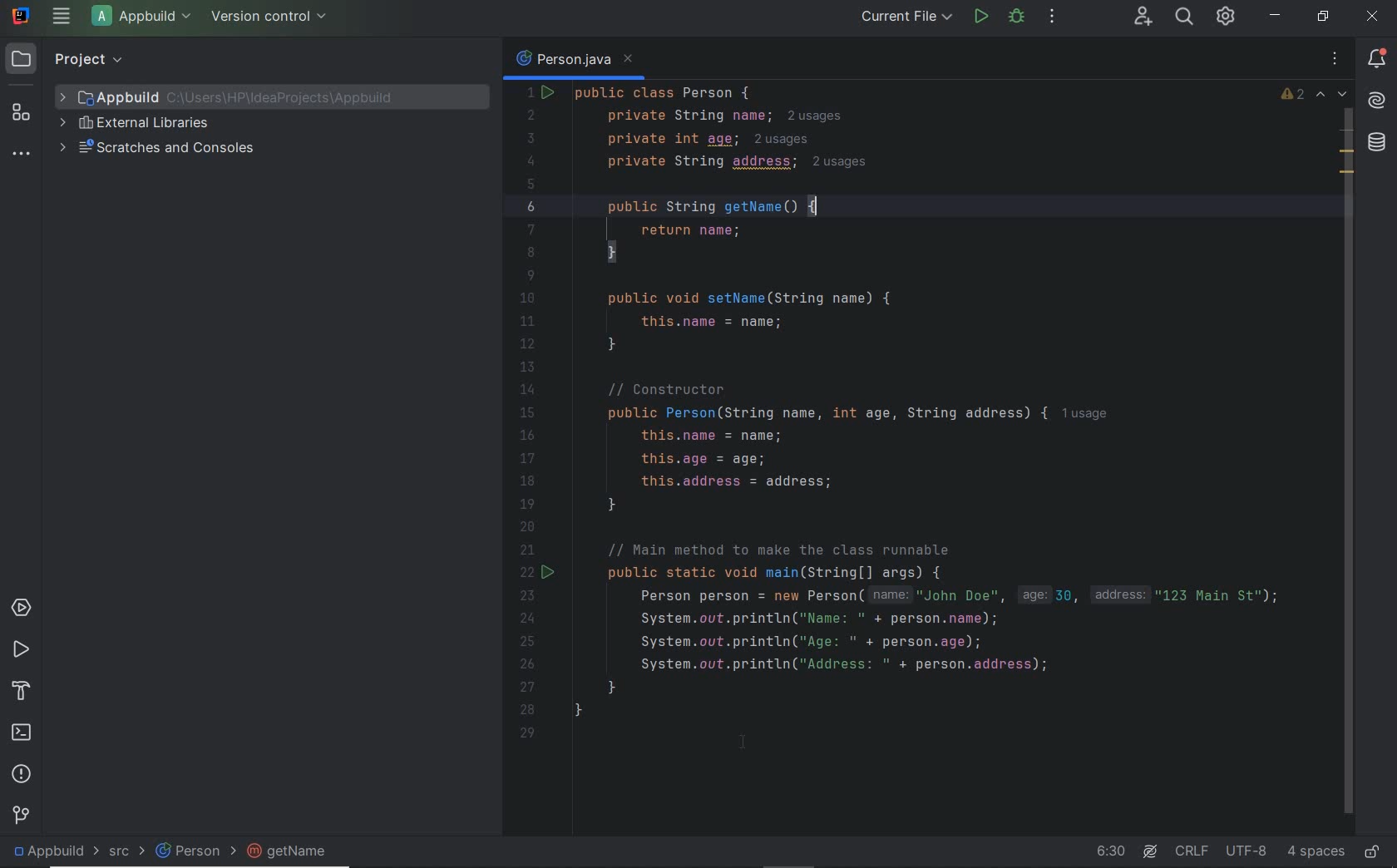 This screenshot has height=868, width=1397. Describe the element at coordinates (1377, 102) in the screenshot. I see `AI Assistant` at that location.